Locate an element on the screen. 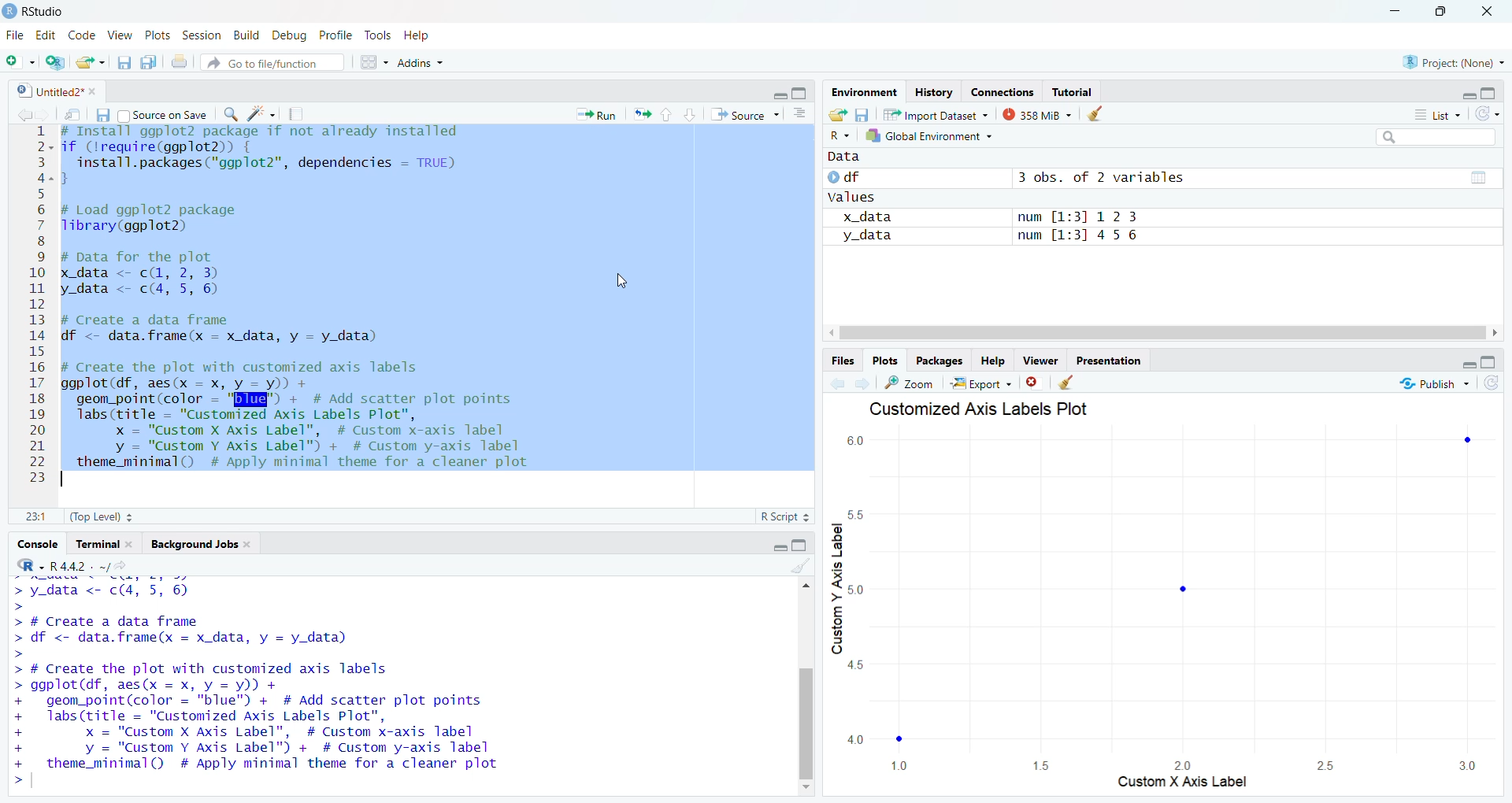 The height and width of the screenshot is (803, 1512). © 363 MmiB + is located at coordinates (1039, 115).